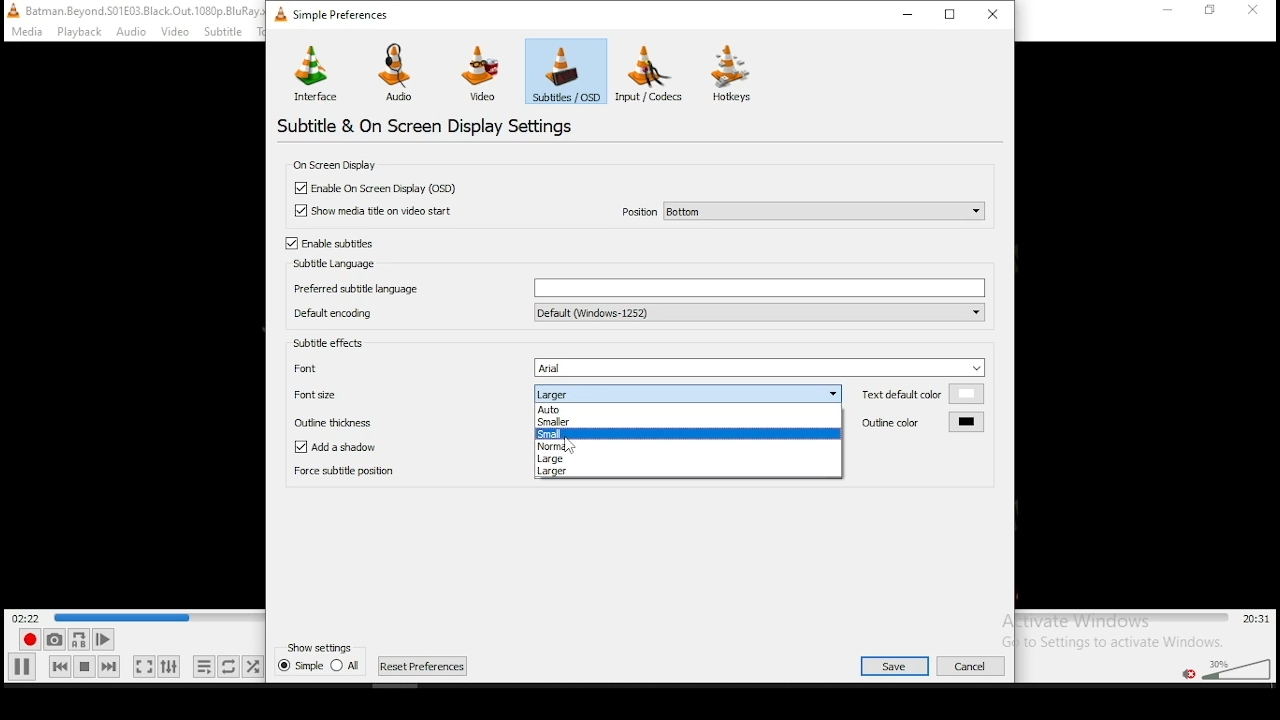  Describe the element at coordinates (429, 125) in the screenshot. I see `subtitle and on screen display settings` at that location.